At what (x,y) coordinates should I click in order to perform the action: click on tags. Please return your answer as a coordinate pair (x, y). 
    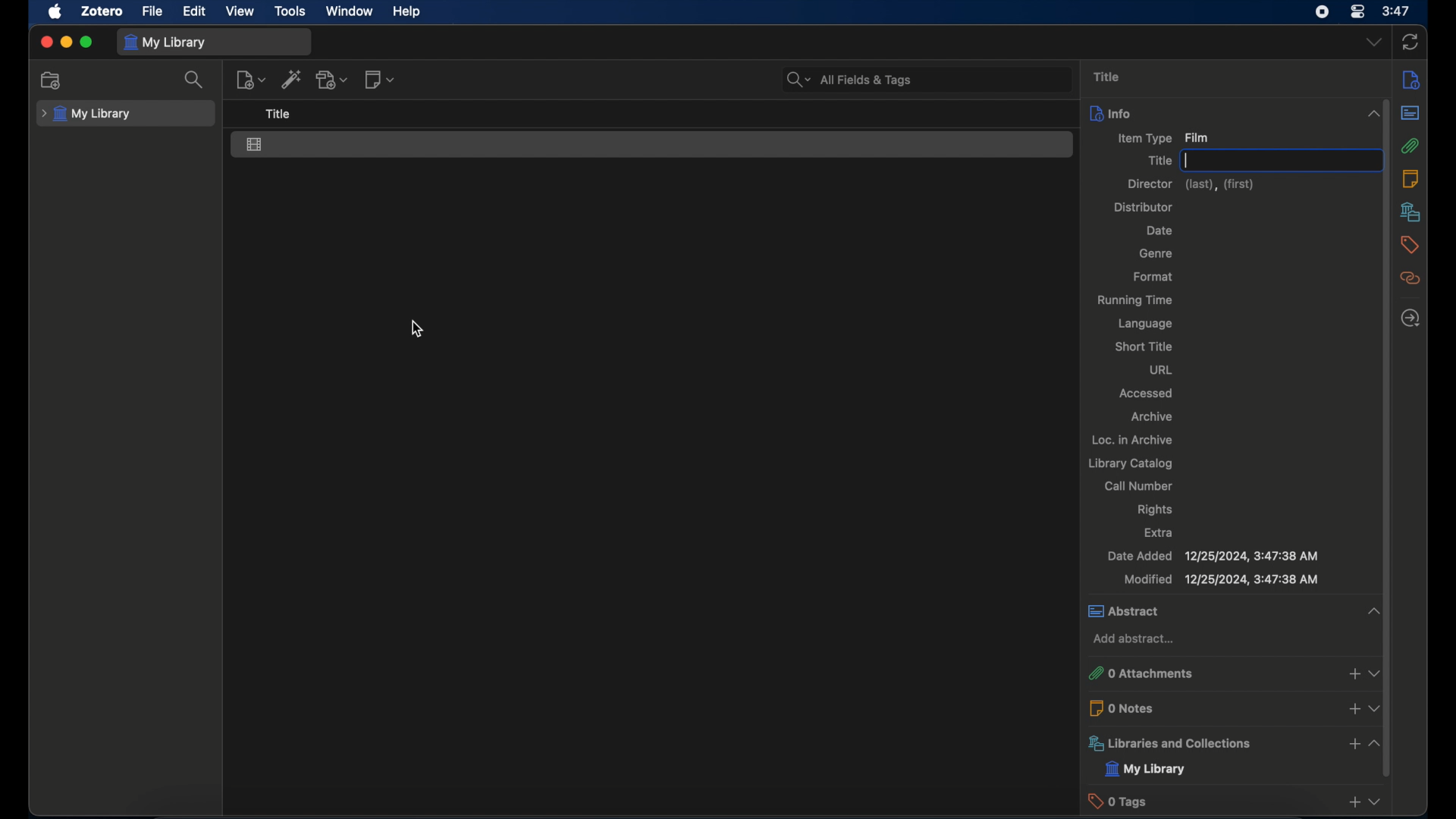
    Looking at the image, I should click on (1410, 245).